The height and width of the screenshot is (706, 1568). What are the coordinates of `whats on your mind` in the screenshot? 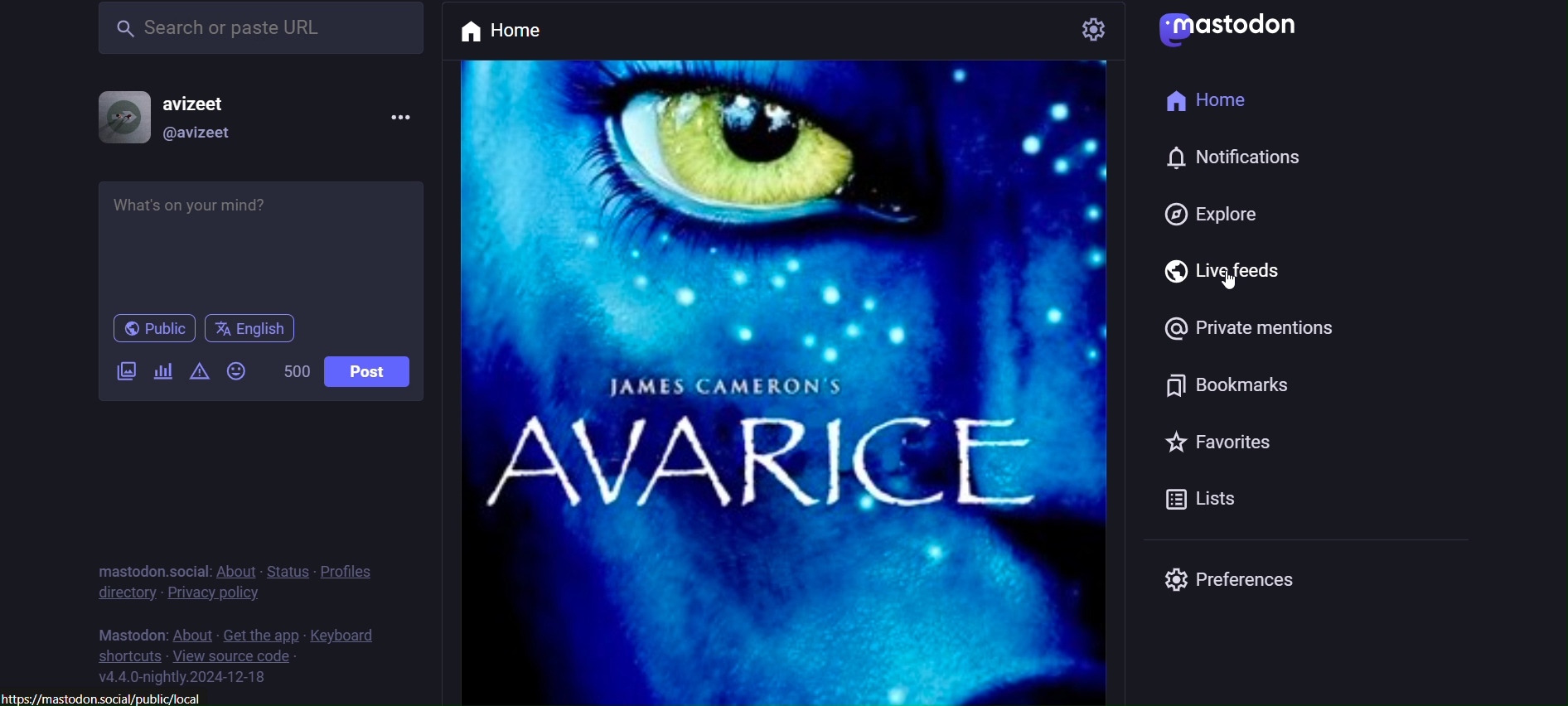 It's located at (263, 239).